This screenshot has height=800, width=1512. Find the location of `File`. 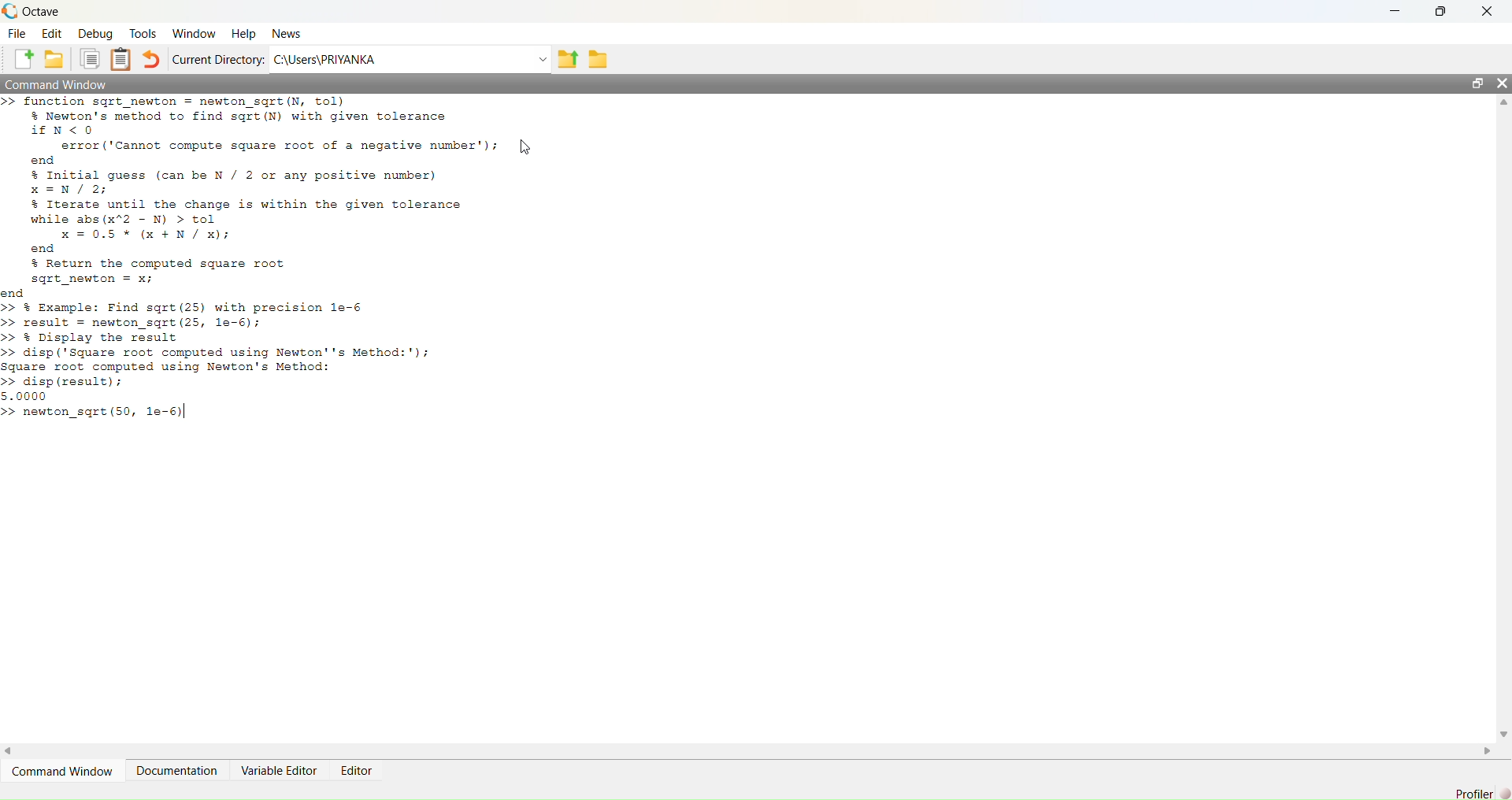

File is located at coordinates (17, 35).